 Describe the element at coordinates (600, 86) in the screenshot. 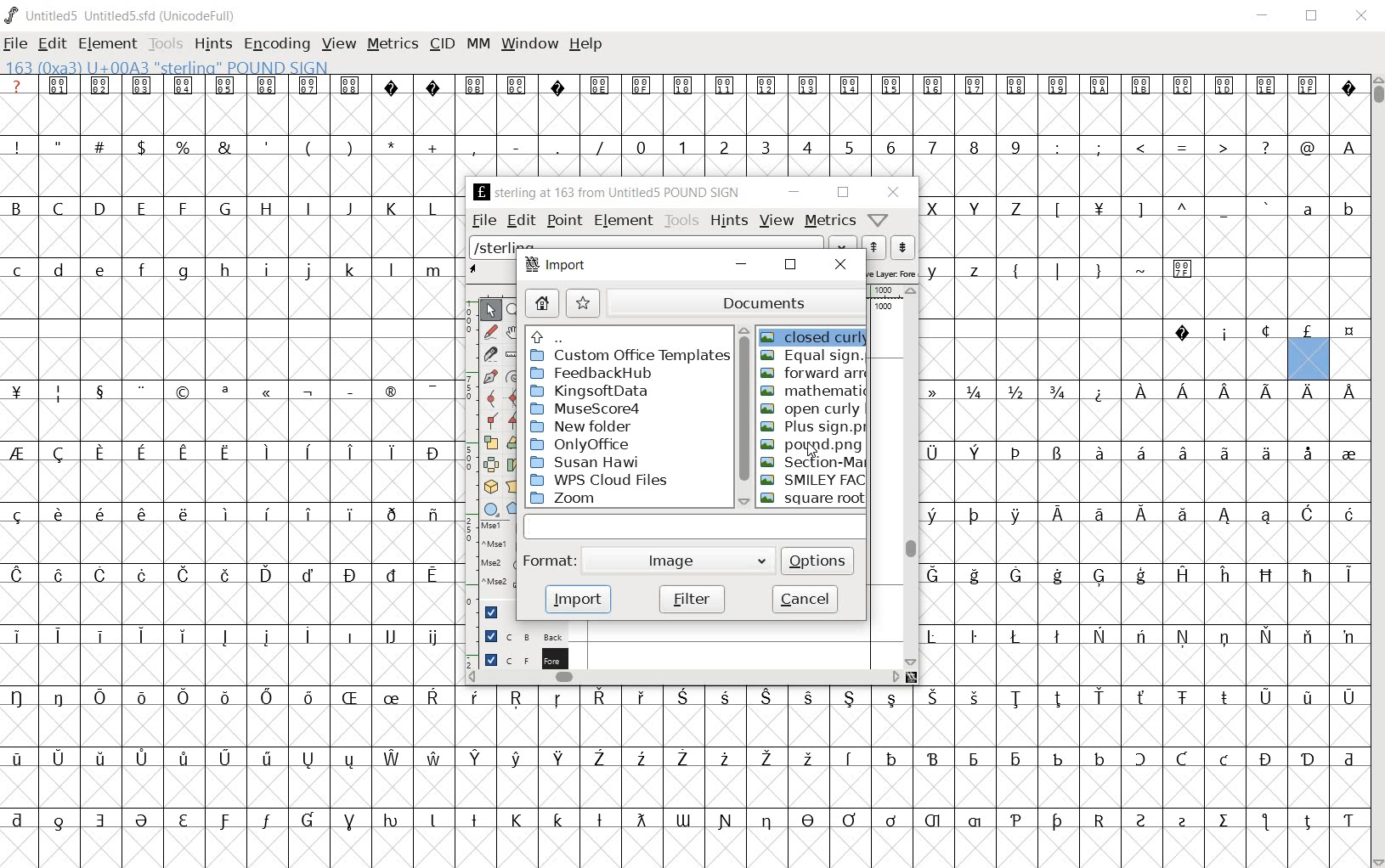

I see `Symbol` at that location.